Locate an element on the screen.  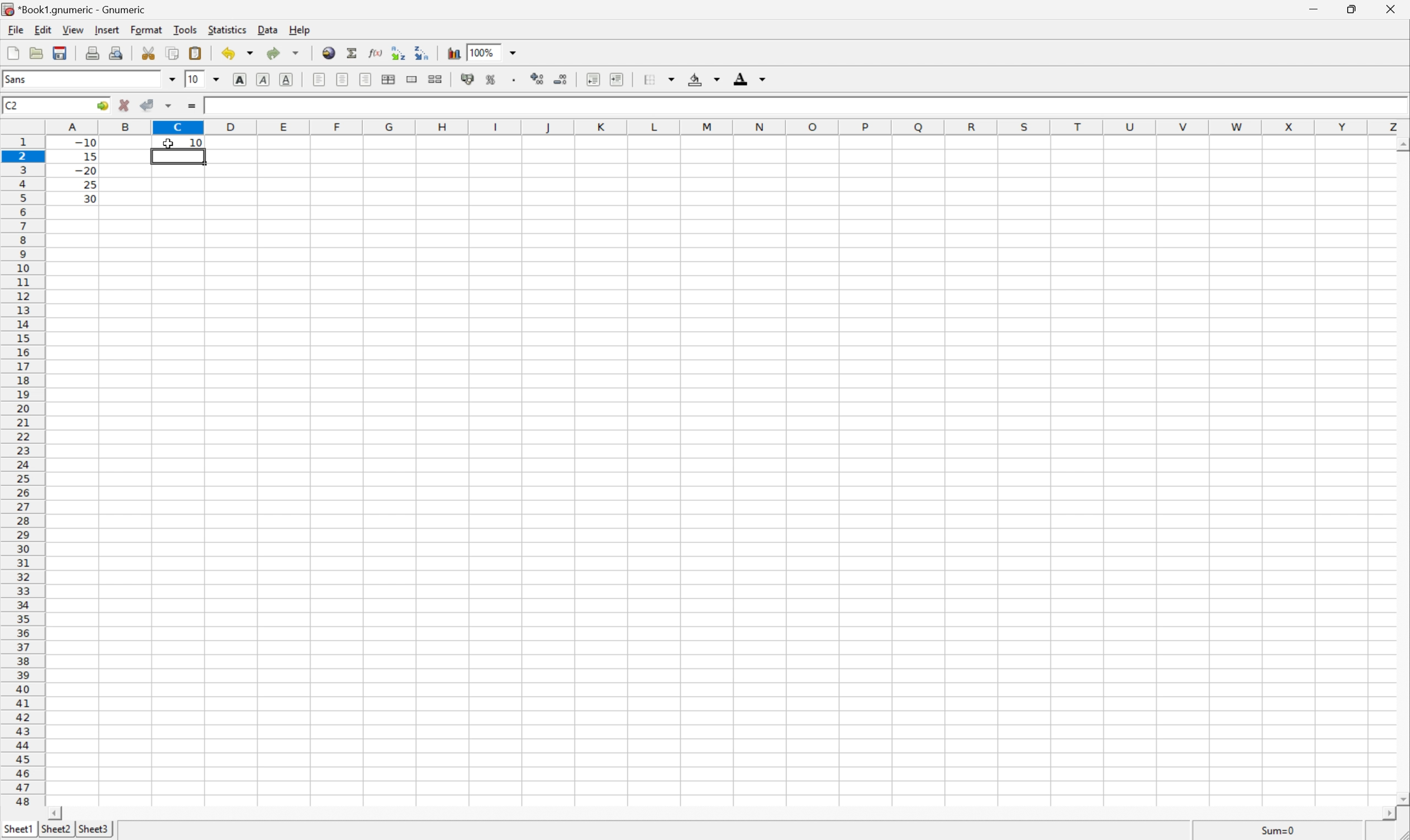
Borders is located at coordinates (647, 79).